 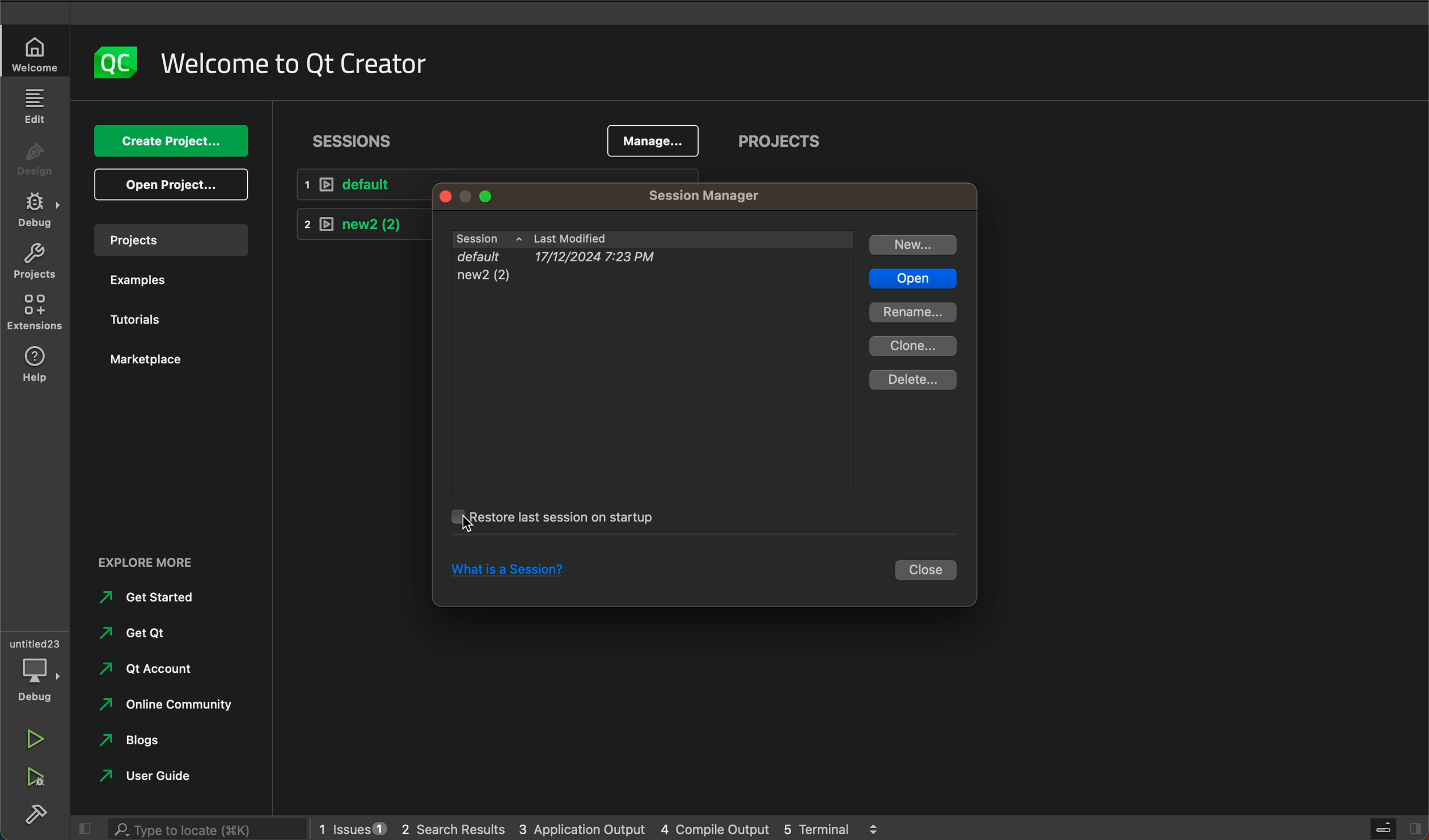 What do you see at coordinates (912, 378) in the screenshot?
I see `delete` at bounding box center [912, 378].